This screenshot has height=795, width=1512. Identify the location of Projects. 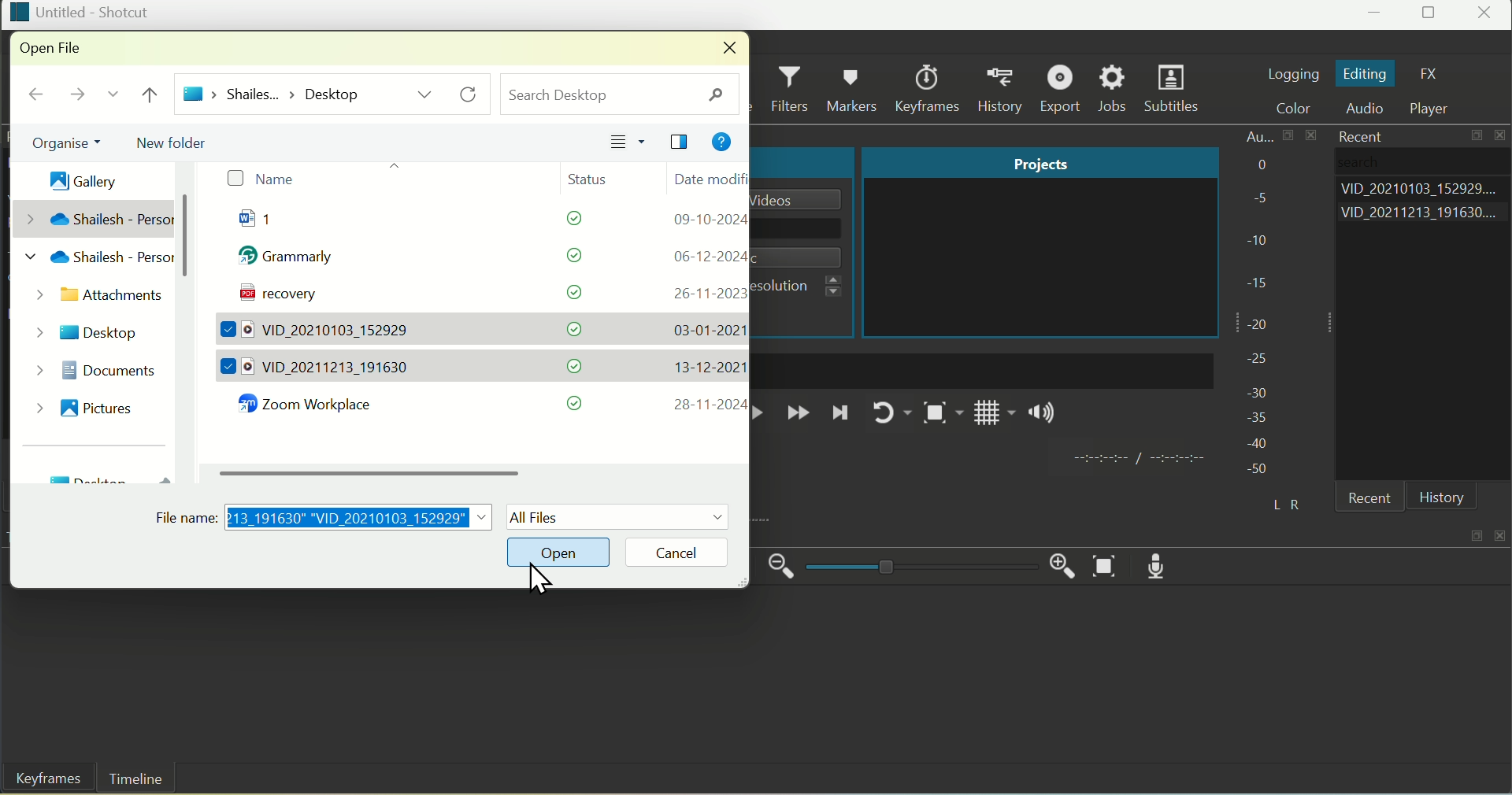
(1039, 163).